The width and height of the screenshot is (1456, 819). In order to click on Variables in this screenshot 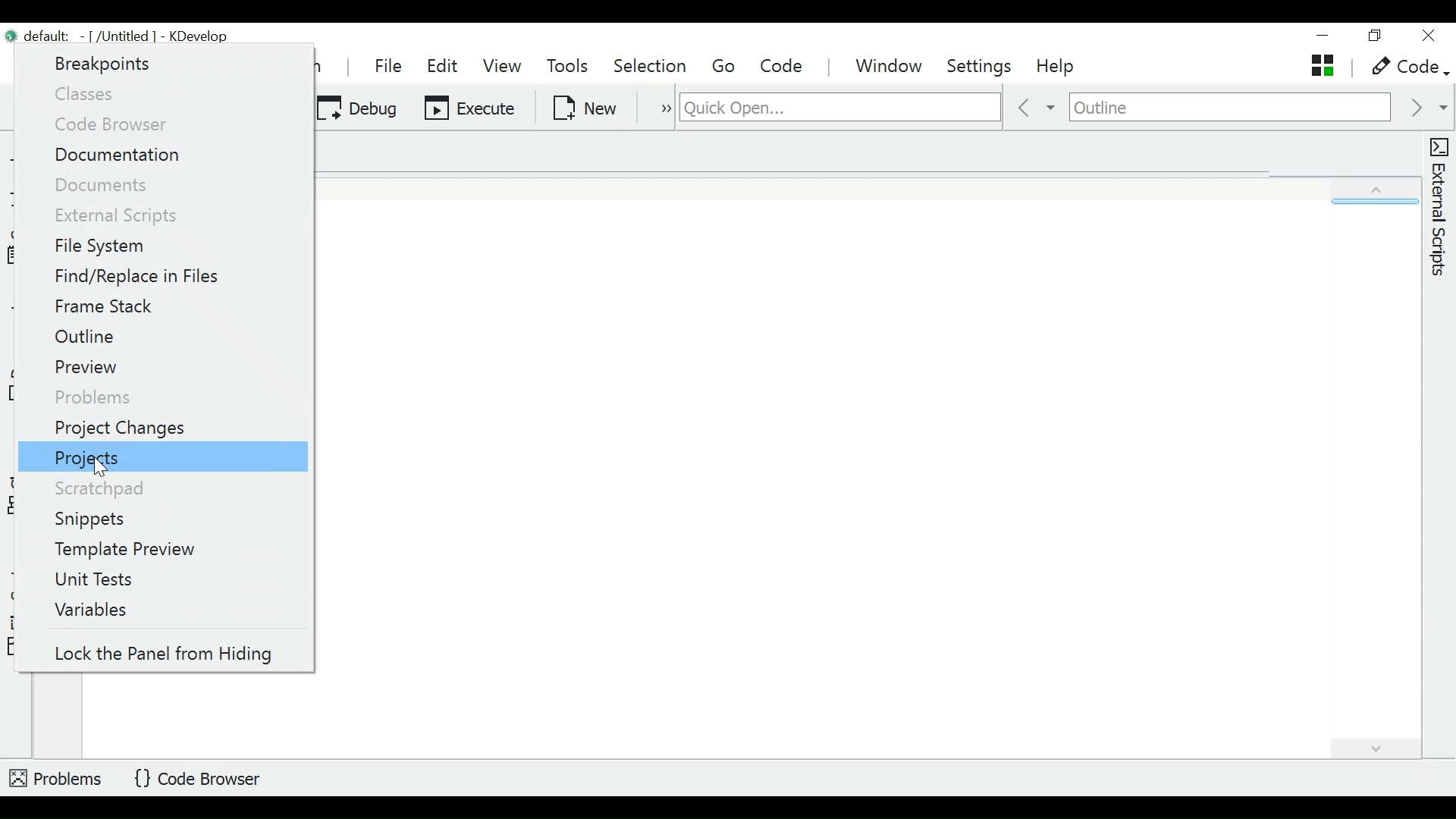, I will do `click(98, 610)`.